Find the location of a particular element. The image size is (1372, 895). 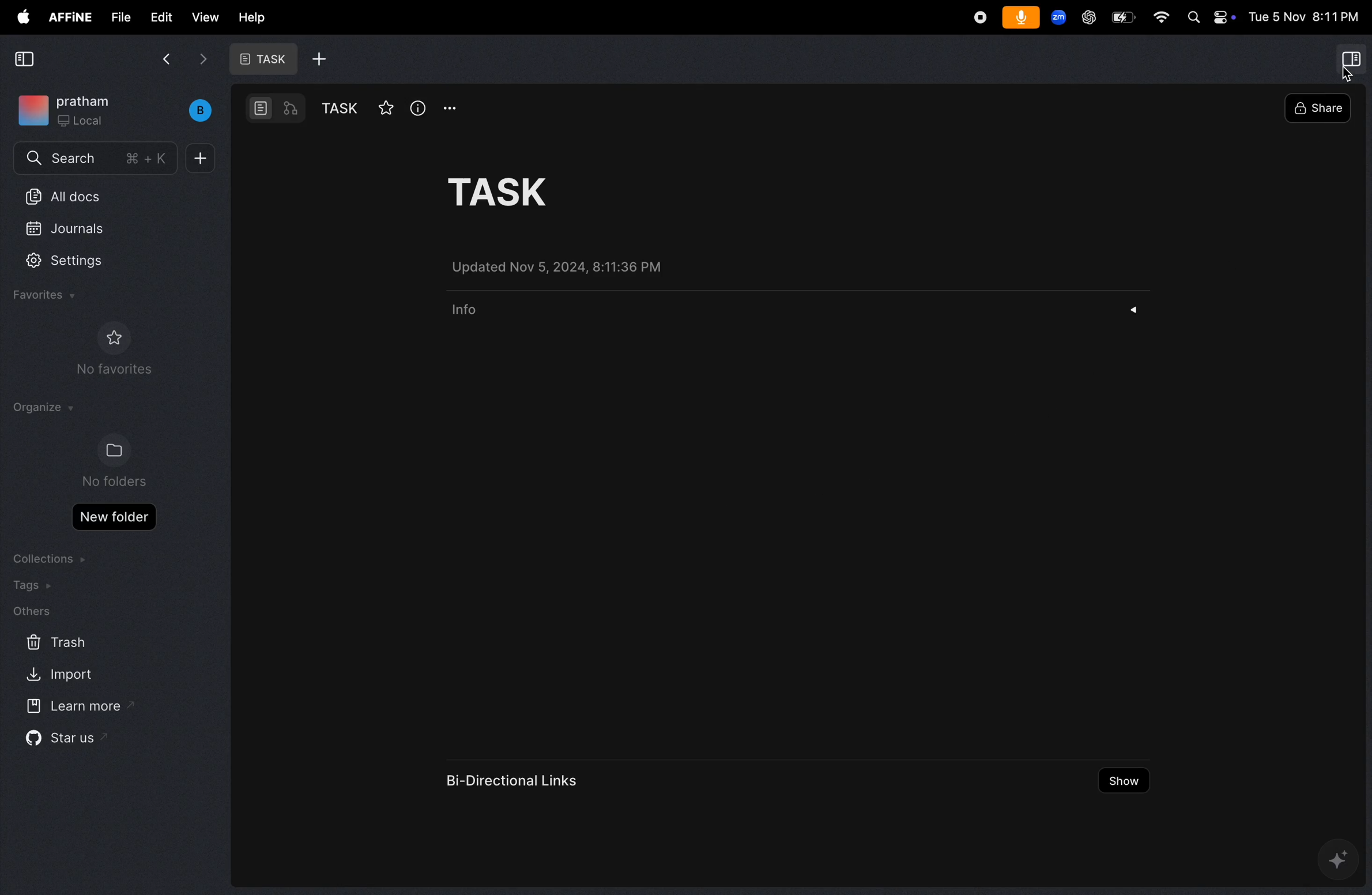

learn more is located at coordinates (77, 707).